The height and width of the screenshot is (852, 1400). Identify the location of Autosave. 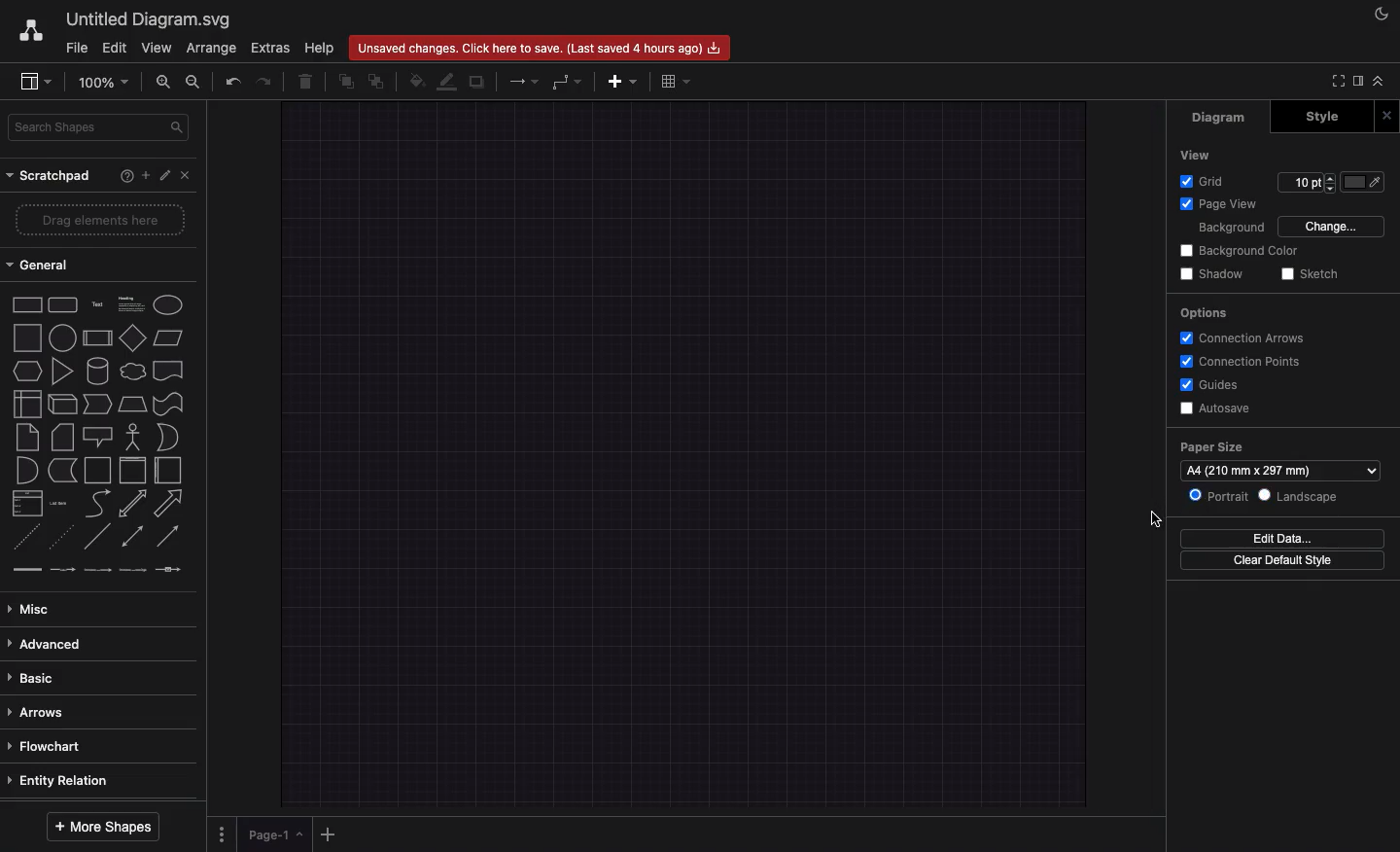
(1219, 409).